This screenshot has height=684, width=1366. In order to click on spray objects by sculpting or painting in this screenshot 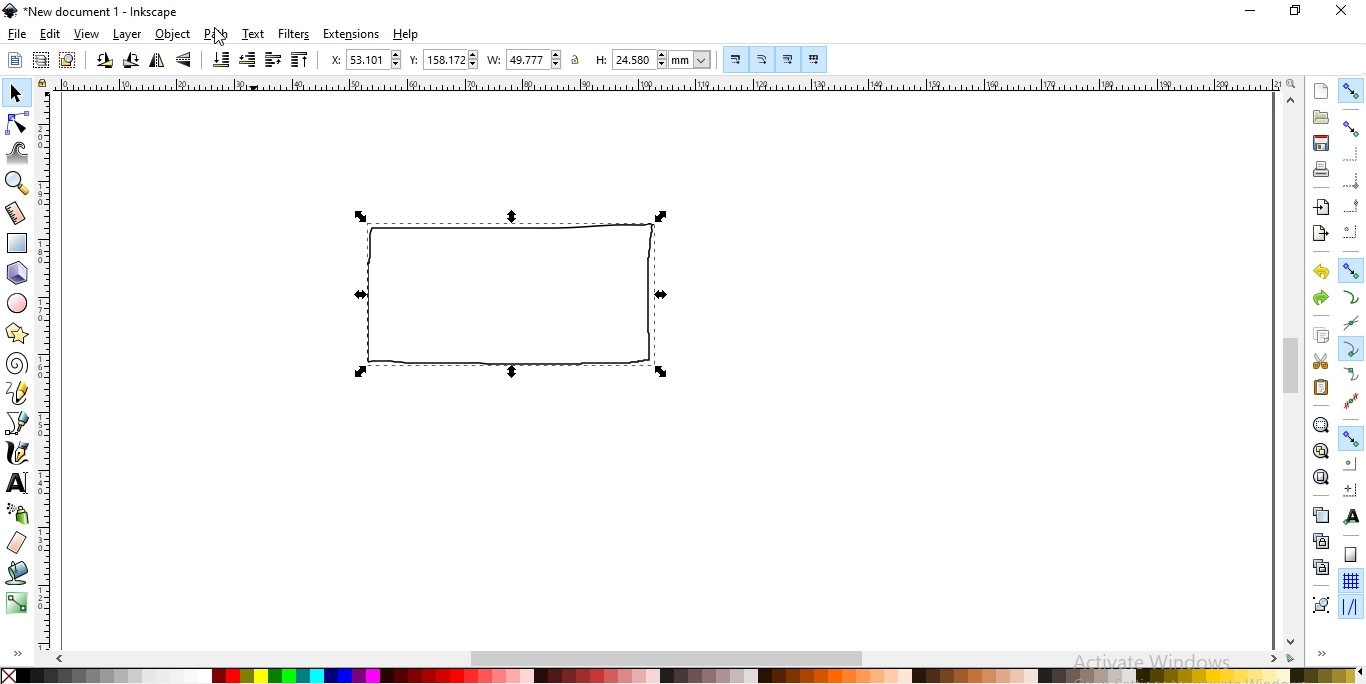, I will do `click(17, 513)`.